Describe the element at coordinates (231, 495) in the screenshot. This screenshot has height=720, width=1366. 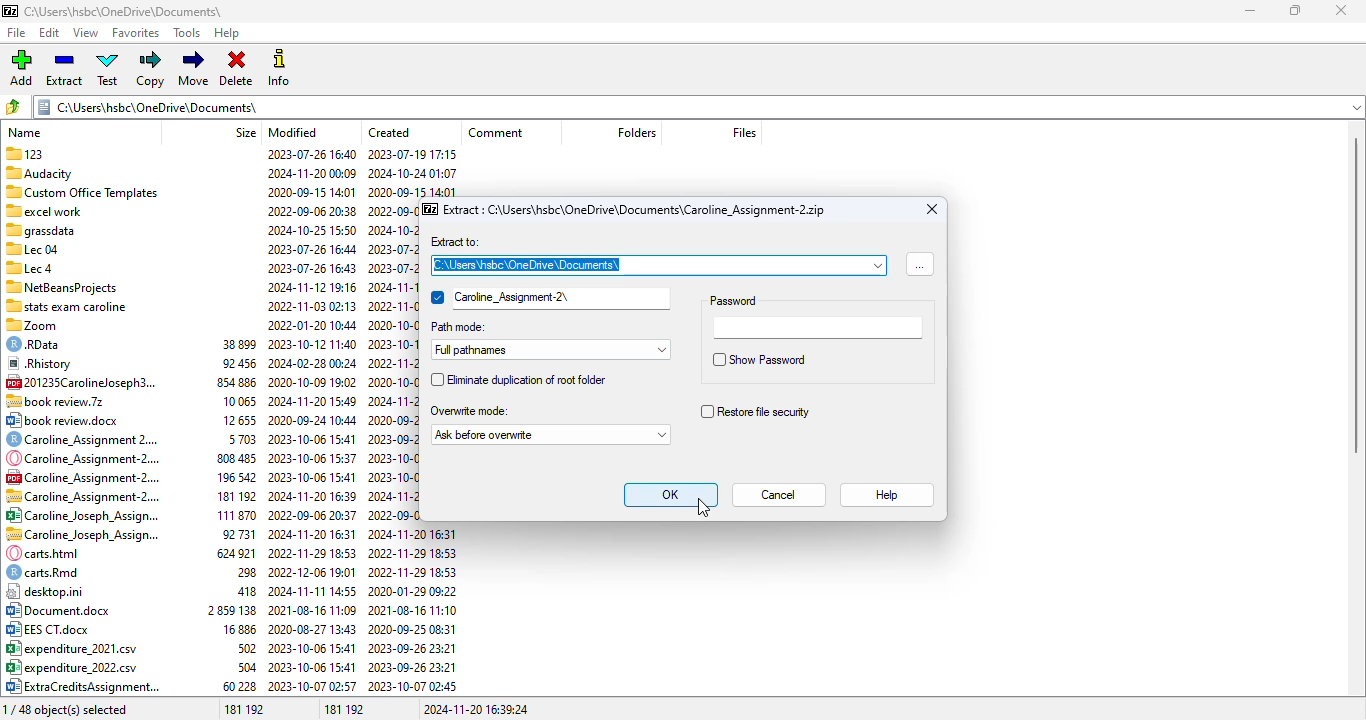
I see ` Caroline Assignment-2.... 181192 2024-11-20 16:39 2024-11-20 16:39` at that location.